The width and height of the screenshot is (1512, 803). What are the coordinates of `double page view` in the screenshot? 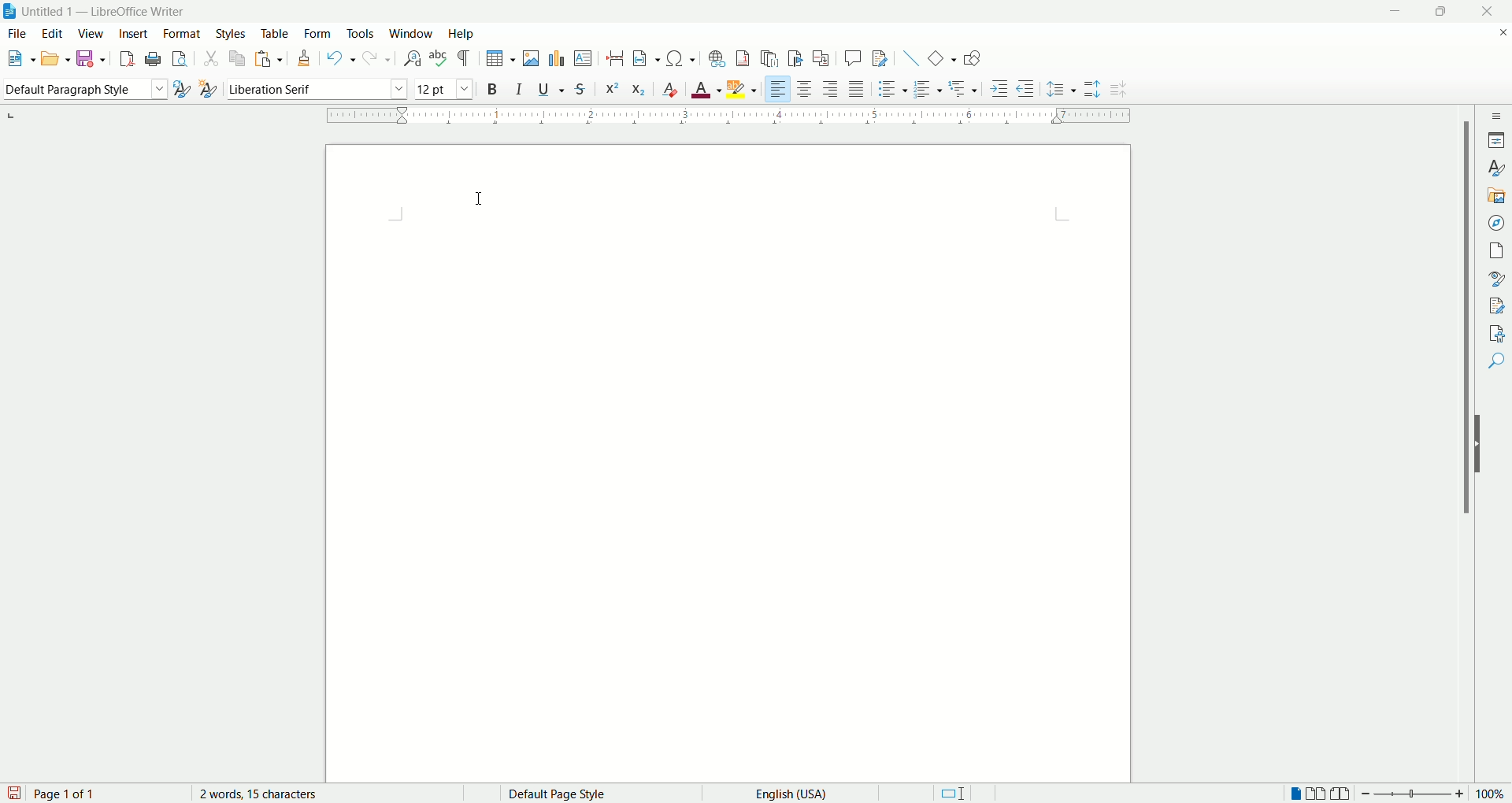 It's located at (1317, 793).